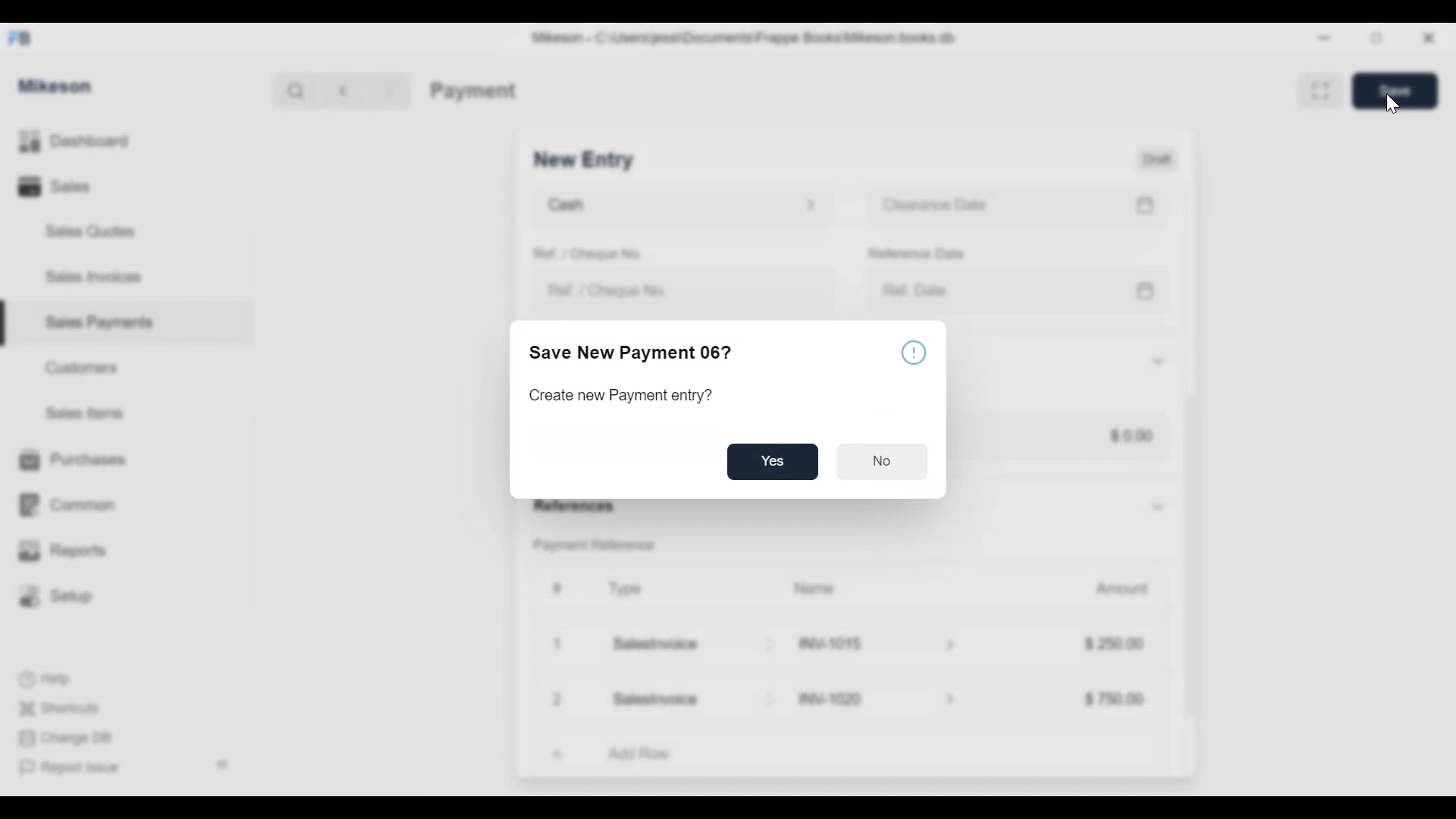 The width and height of the screenshot is (1456, 819). Describe the element at coordinates (883, 460) in the screenshot. I see `No` at that location.